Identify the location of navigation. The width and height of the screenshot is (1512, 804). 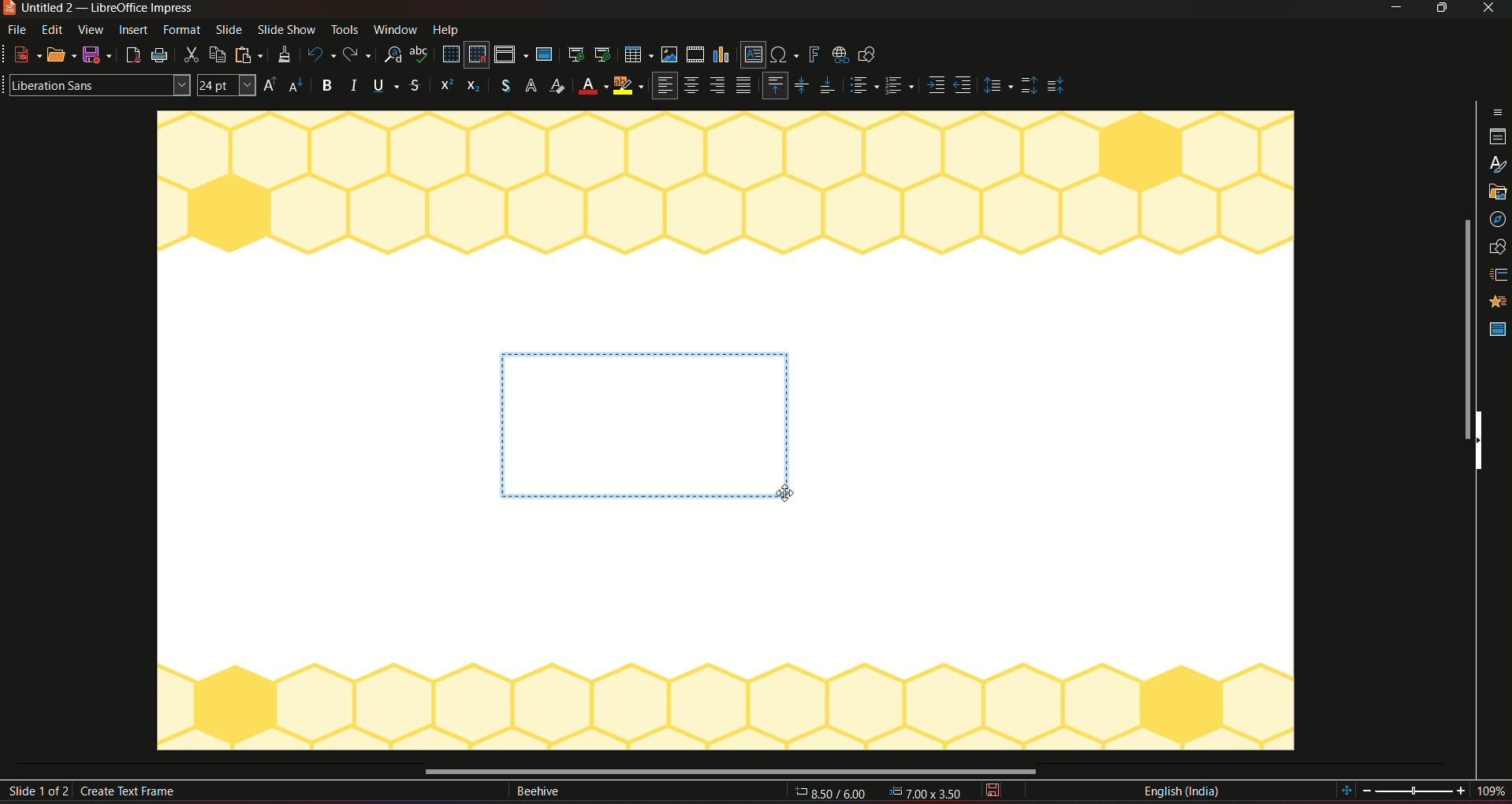
(1498, 189).